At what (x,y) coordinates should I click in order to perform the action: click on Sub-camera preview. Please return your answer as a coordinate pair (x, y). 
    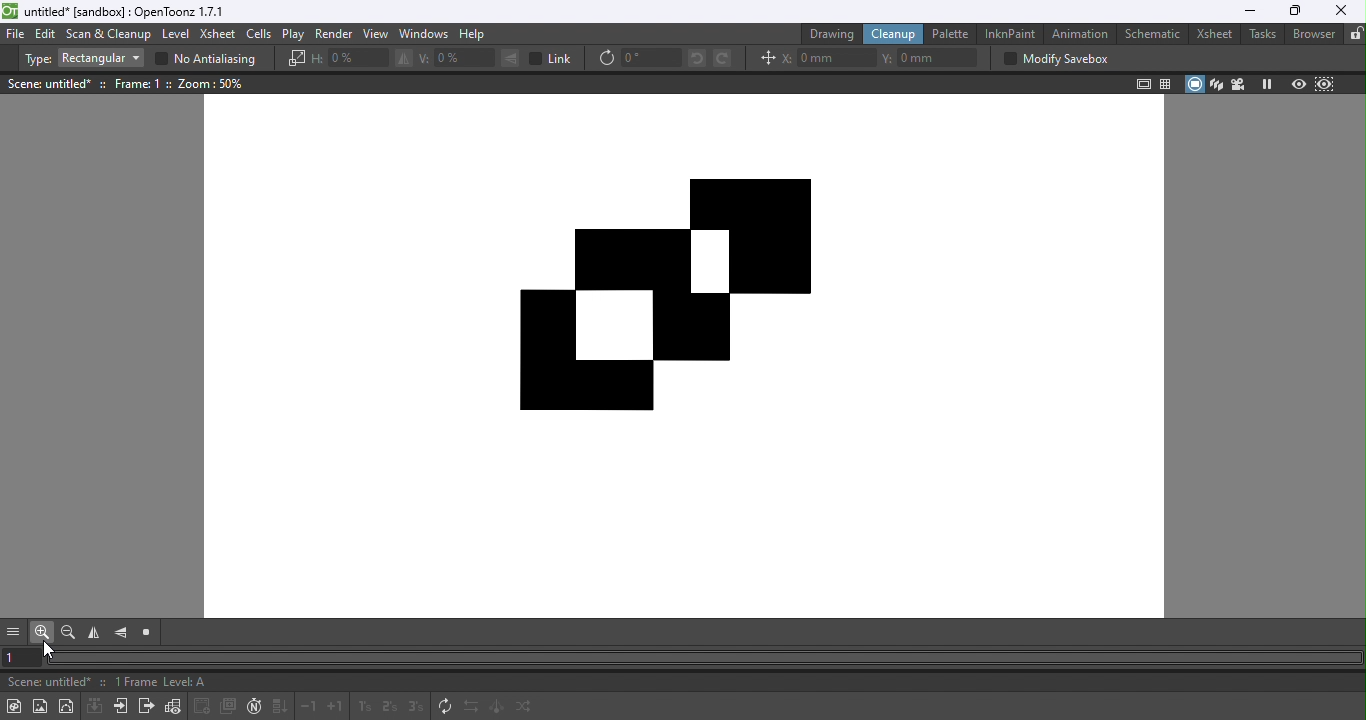
    Looking at the image, I should click on (1325, 83).